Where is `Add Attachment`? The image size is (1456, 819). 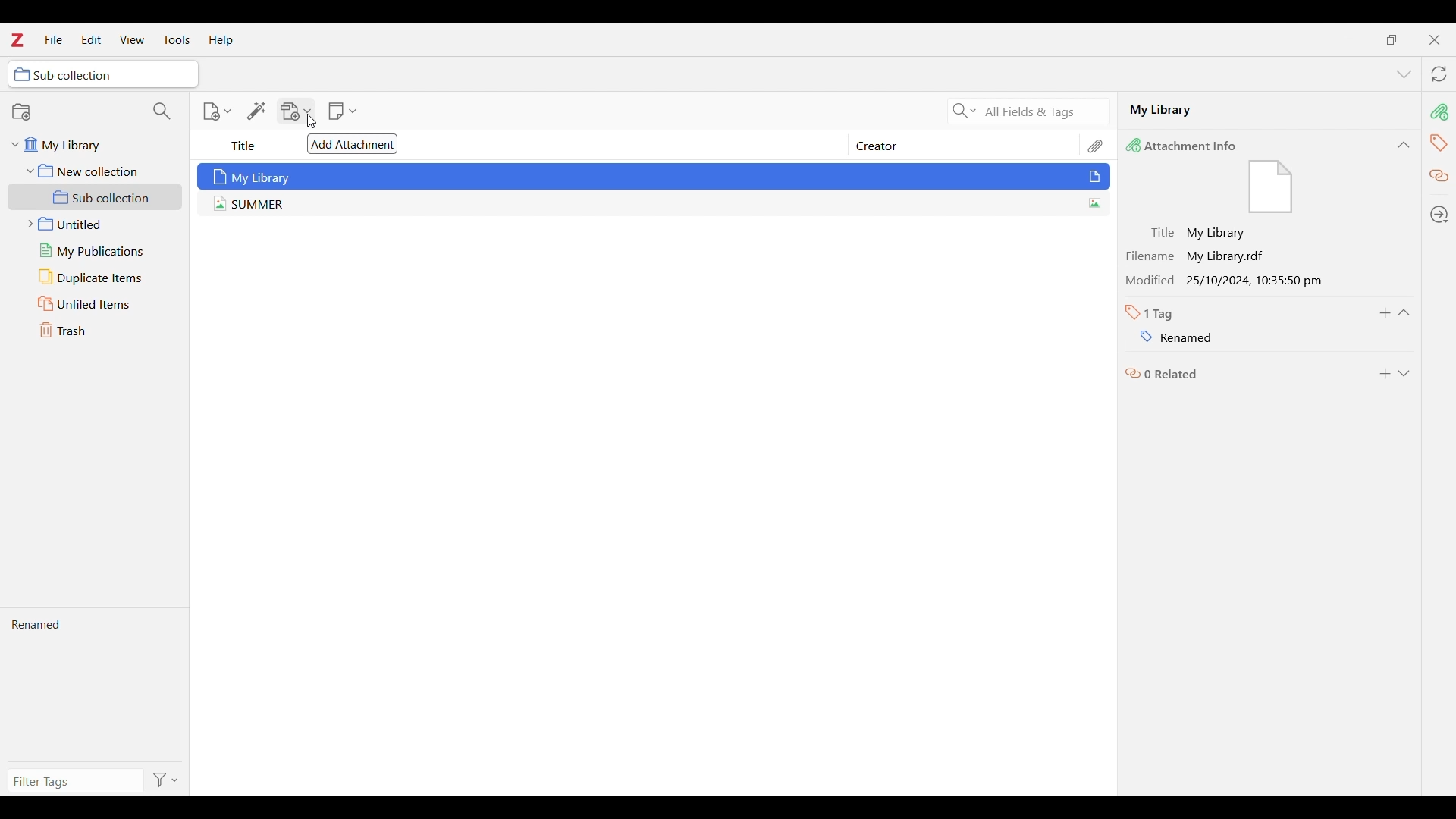 Add Attachment is located at coordinates (353, 144).